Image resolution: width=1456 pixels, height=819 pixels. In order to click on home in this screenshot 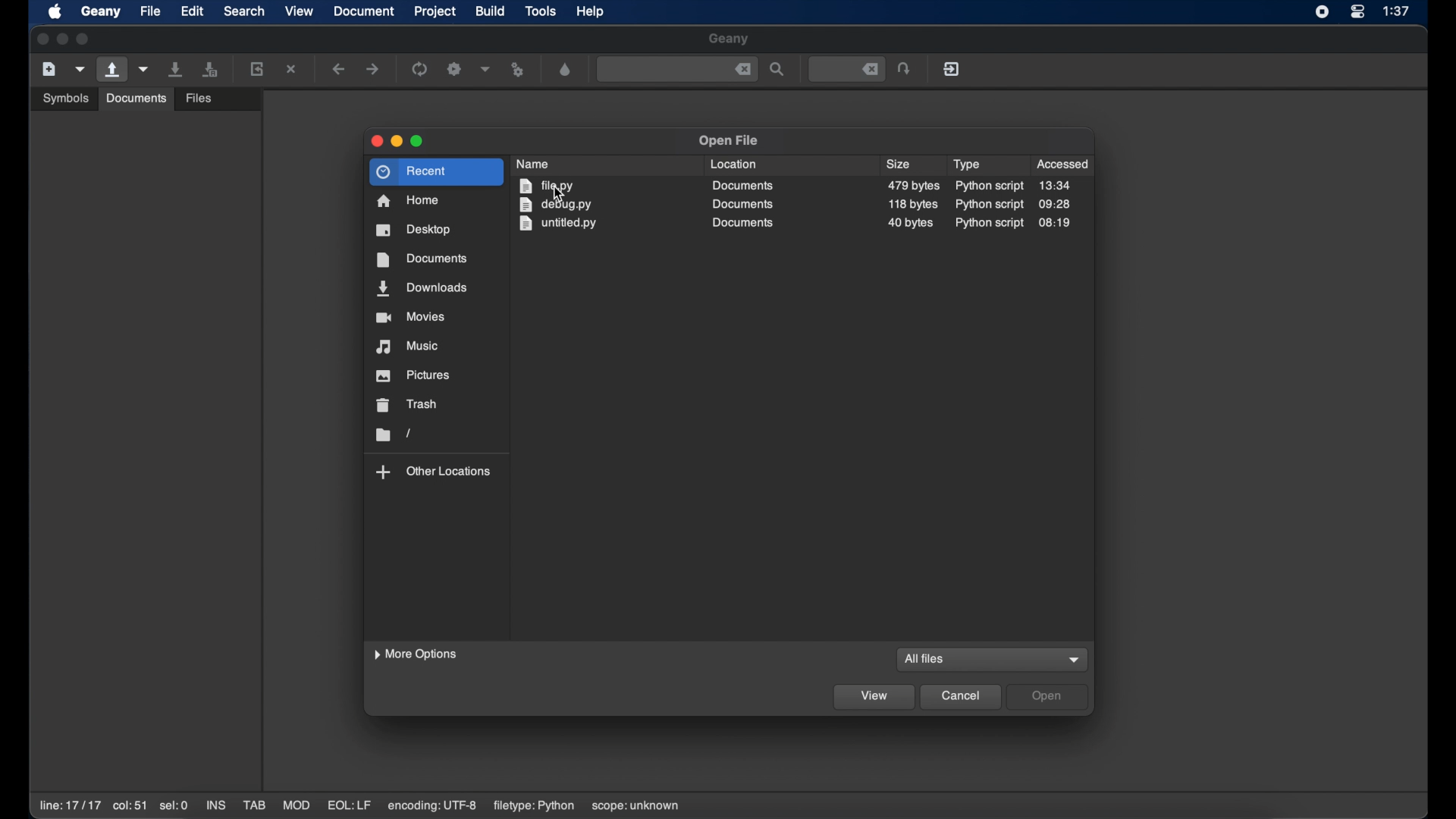, I will do `click(409, 201)`.